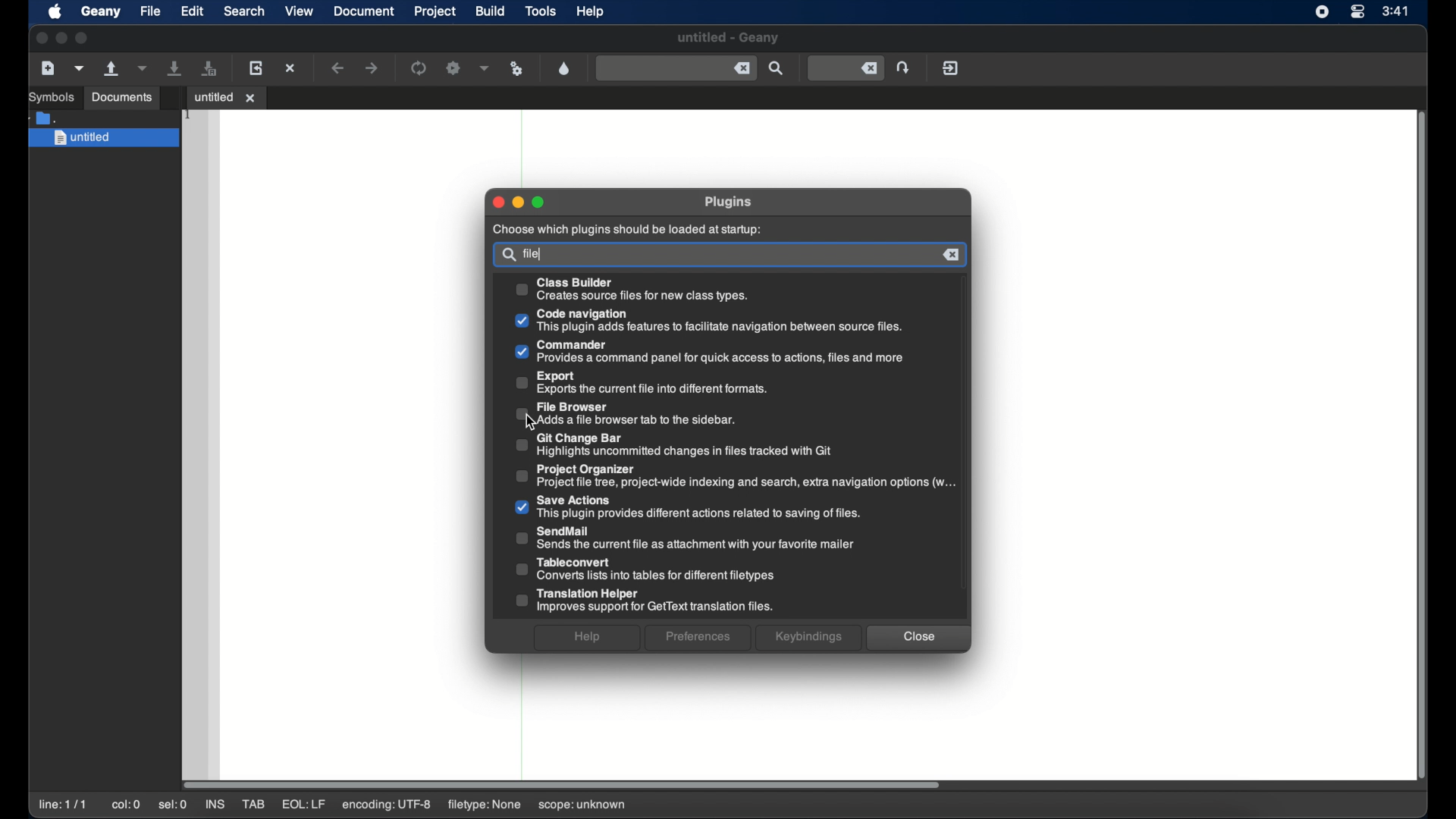 The width and height of the screenshot is (1456, 819). What do you see at coordinates (1322, 12) in the screenshot?
I see `screen recorder icon` at bounding box center [1322, 12].